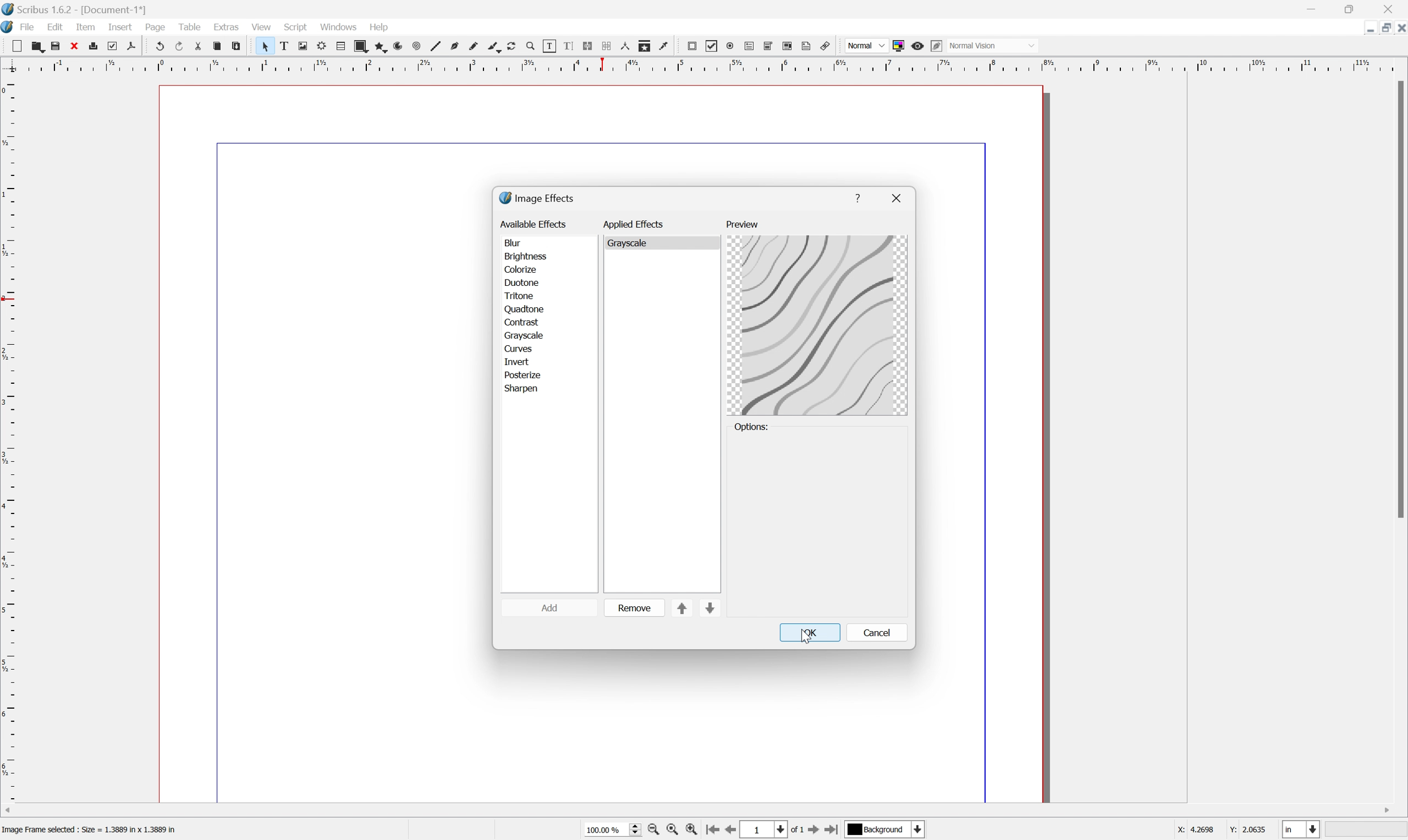  I want to click on Table, so click(191, 25).